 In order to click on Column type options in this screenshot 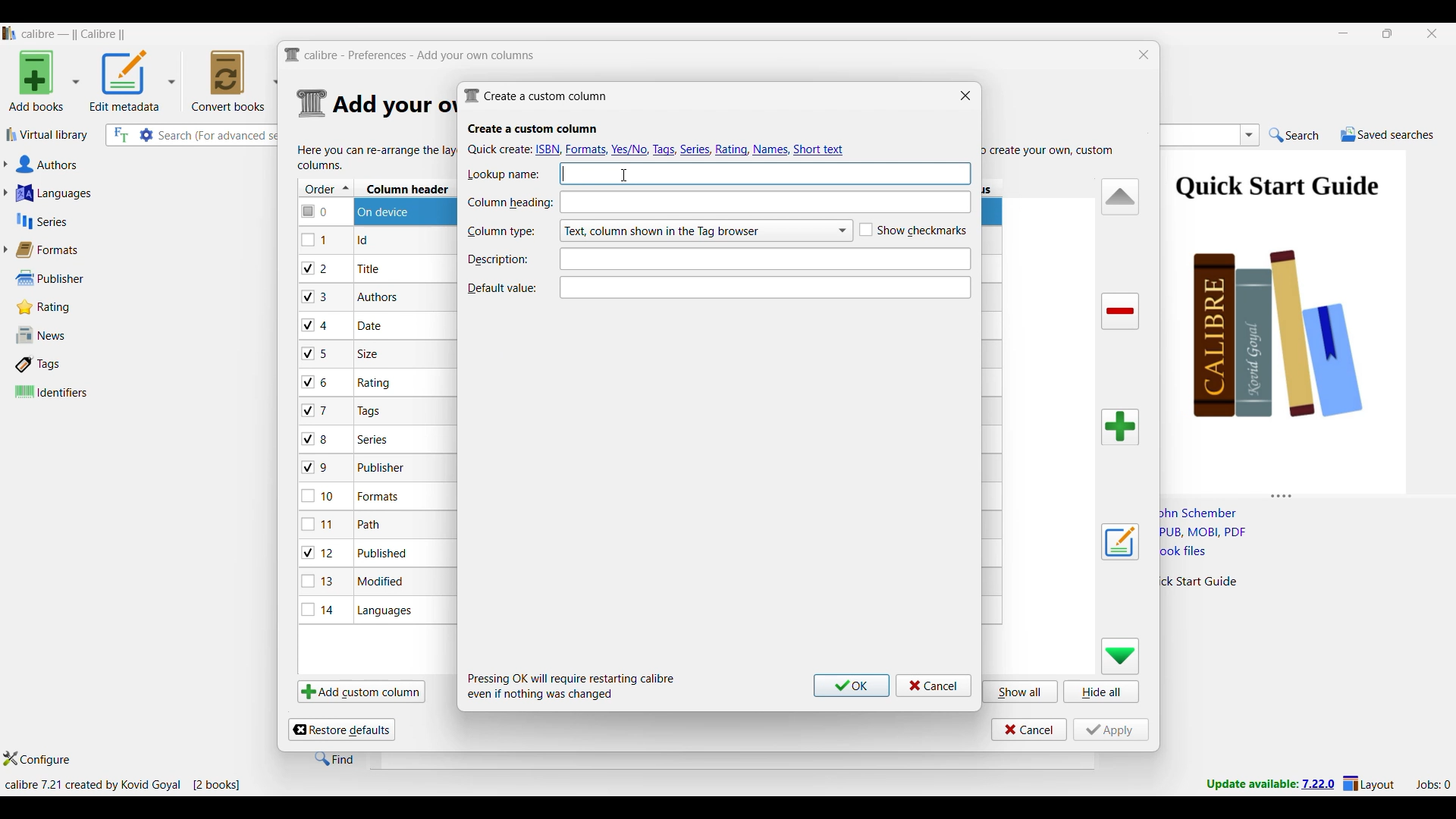, I will do `click(705, 231)`.